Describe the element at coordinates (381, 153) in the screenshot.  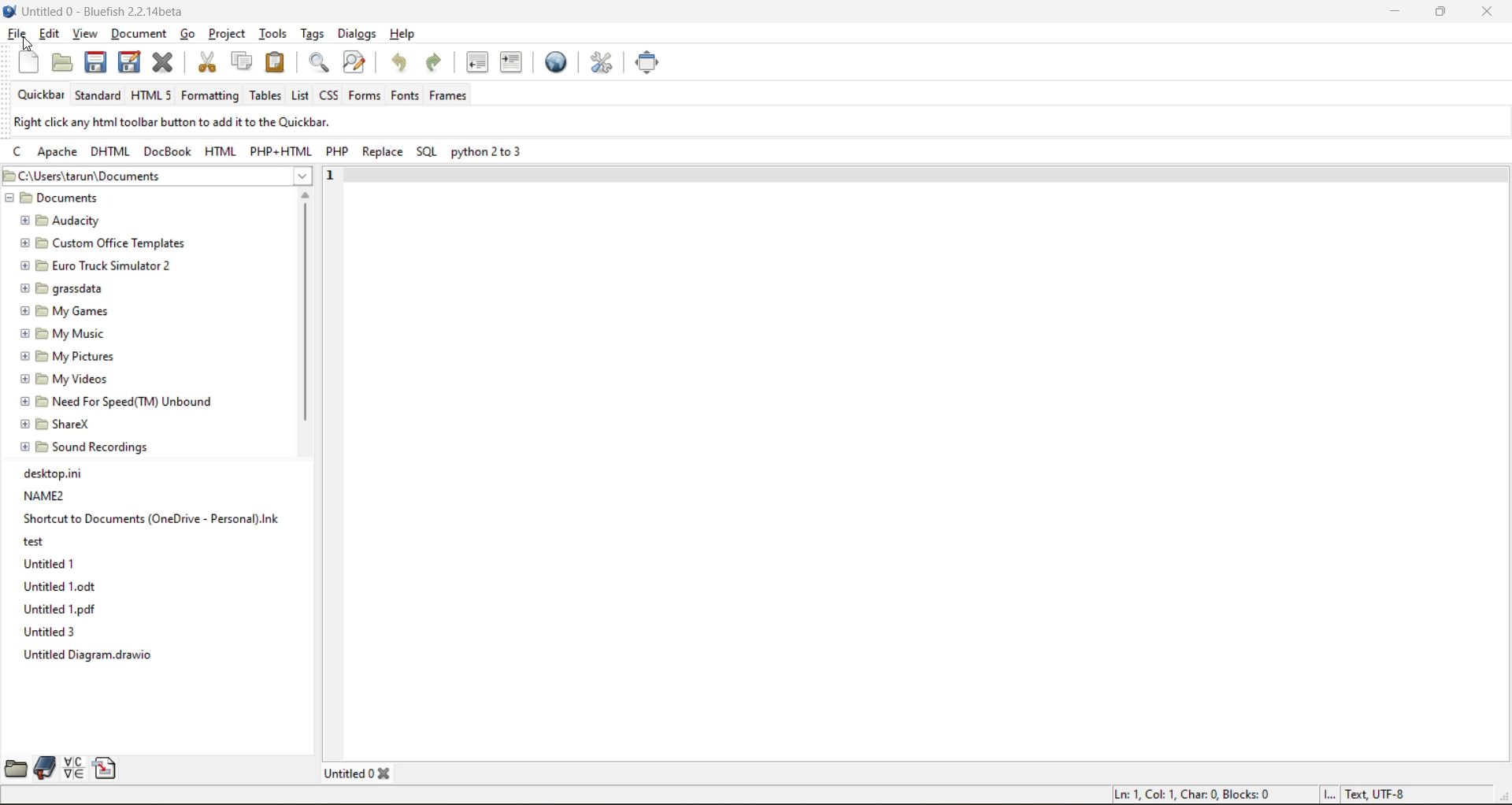
I see `replace` at that location.